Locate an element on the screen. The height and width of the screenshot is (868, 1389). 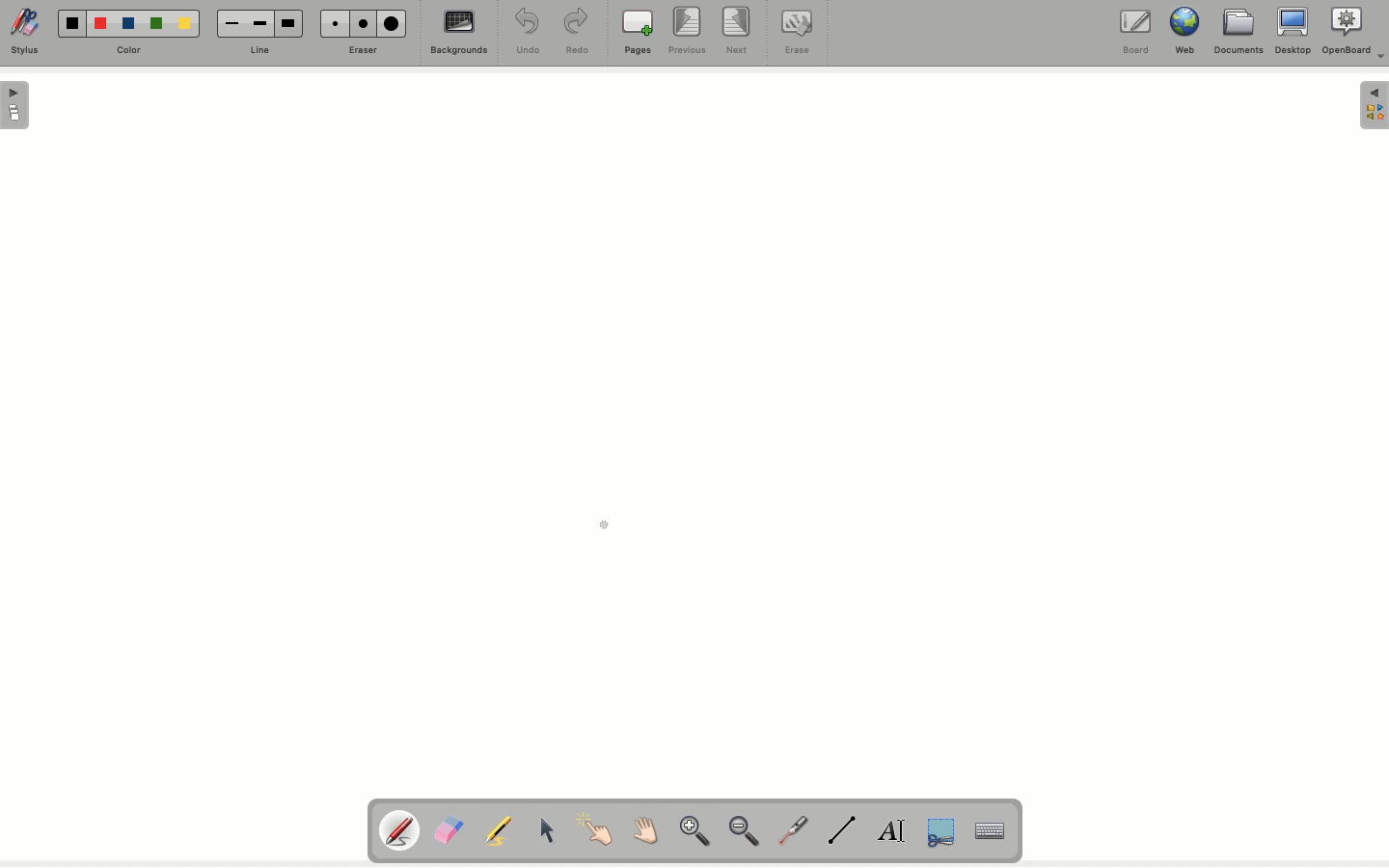
Point is located at coordinates (594, 827).